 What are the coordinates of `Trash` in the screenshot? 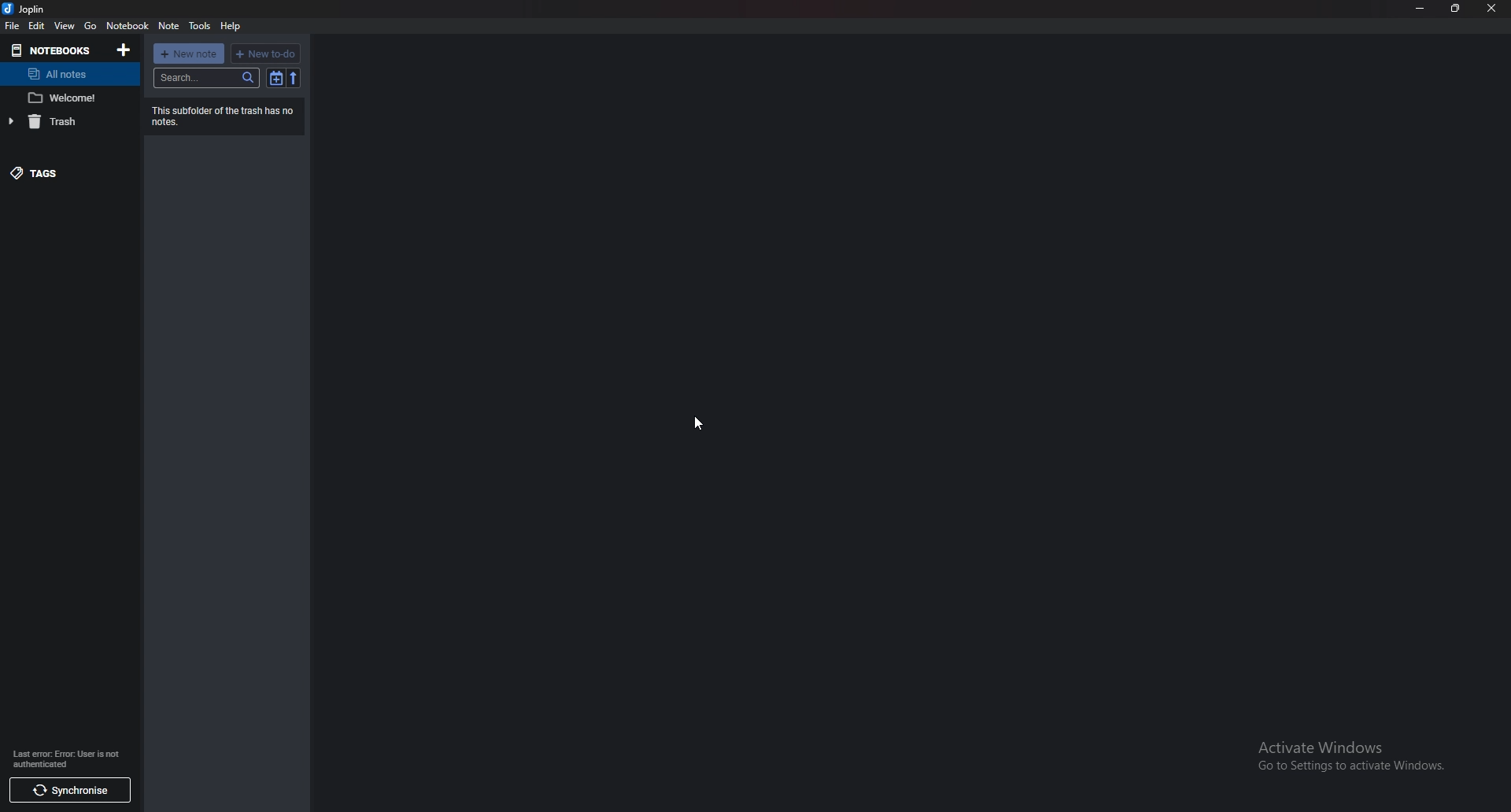 It's located at (65, 122).